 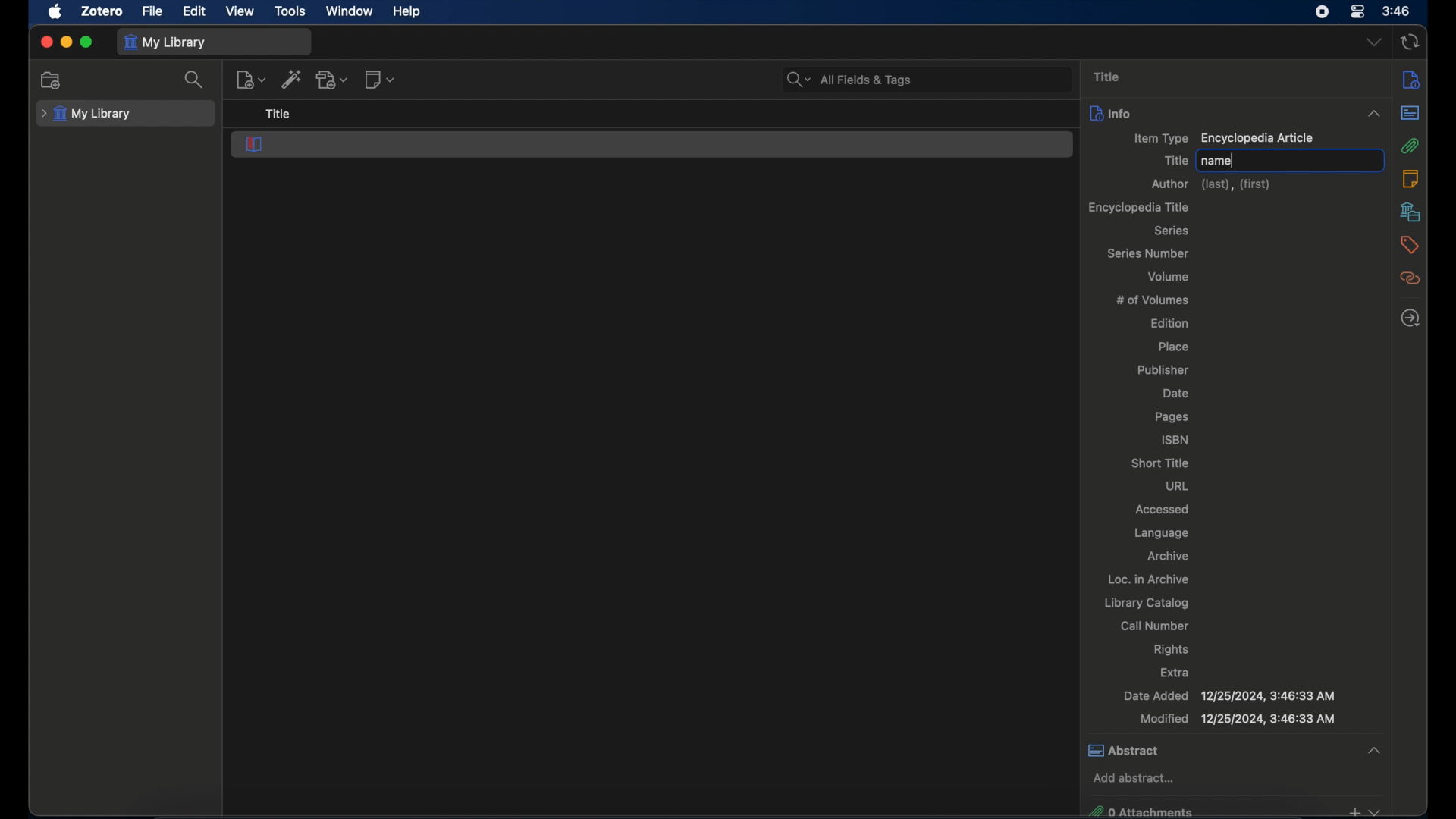 I want to click on notes, so click(x=1410, y=177).